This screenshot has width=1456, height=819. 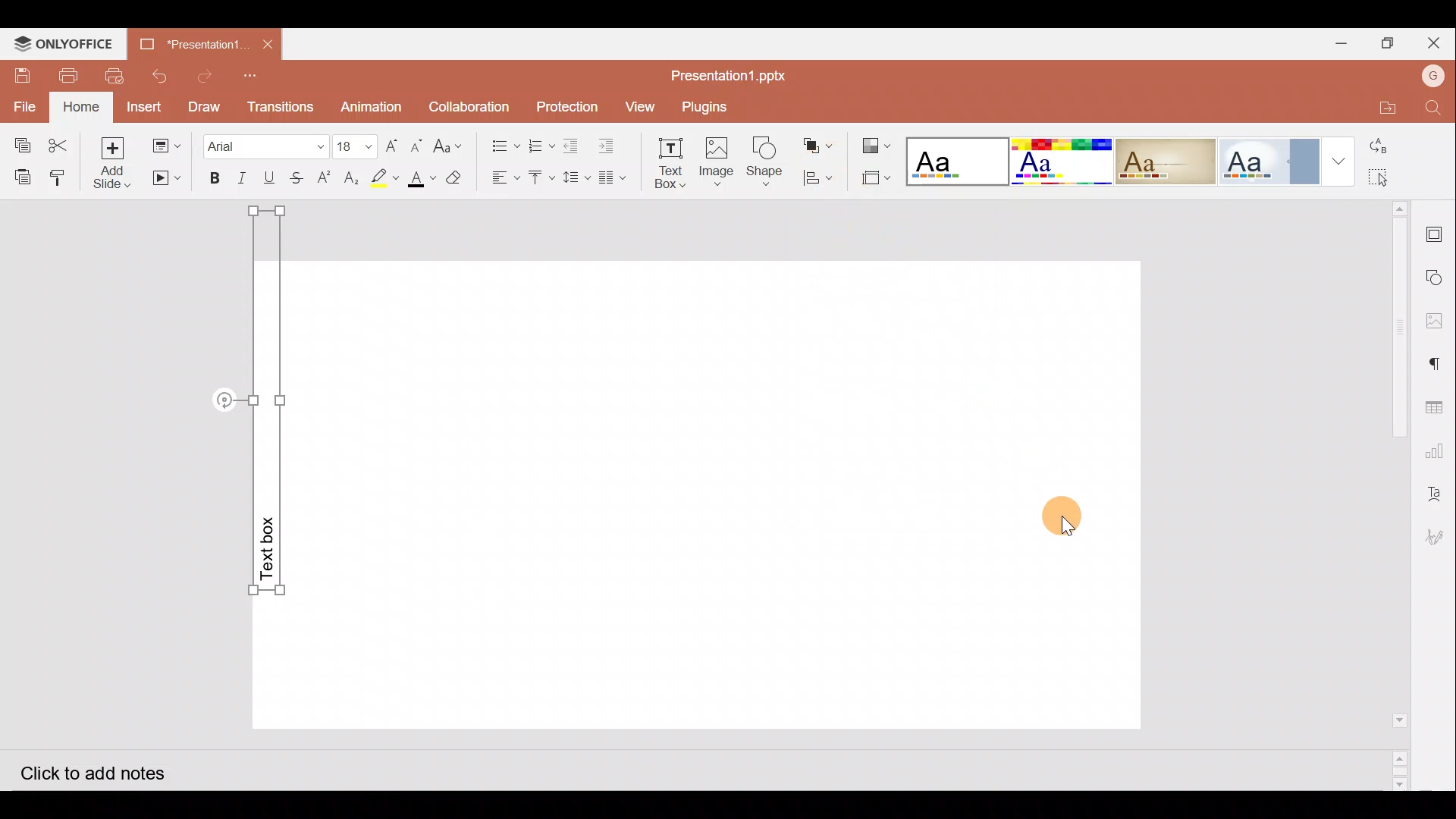 What do you see at coordinates (63, 174) in the screenshot?
I see `Copy style` at bounding box center [63, 174].